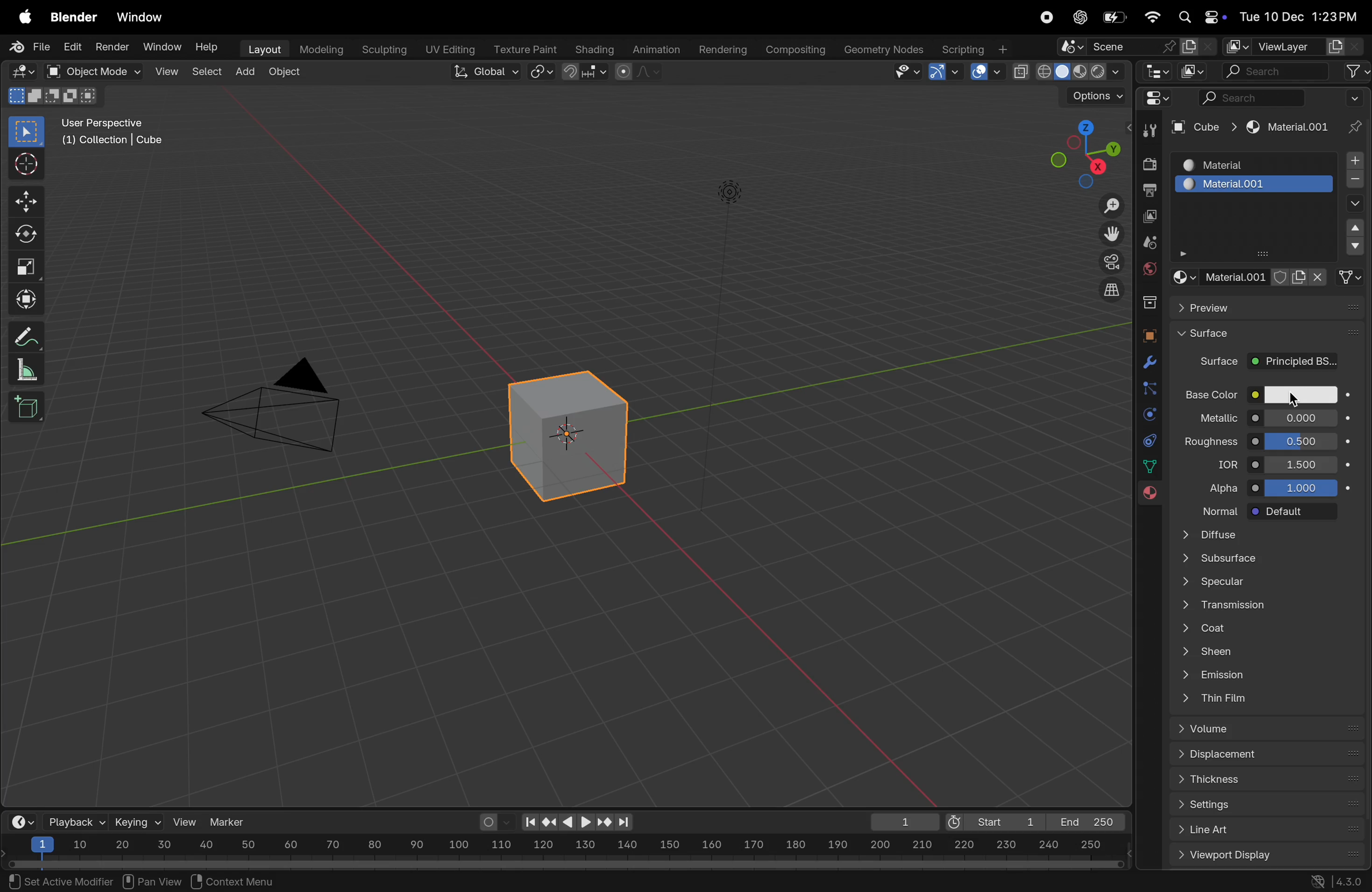 This screenshot has height=892, width=1372. What do you see at coordinates (658, 48) in the screenshot?
I see `Animation` at bounding box center [658, 48].